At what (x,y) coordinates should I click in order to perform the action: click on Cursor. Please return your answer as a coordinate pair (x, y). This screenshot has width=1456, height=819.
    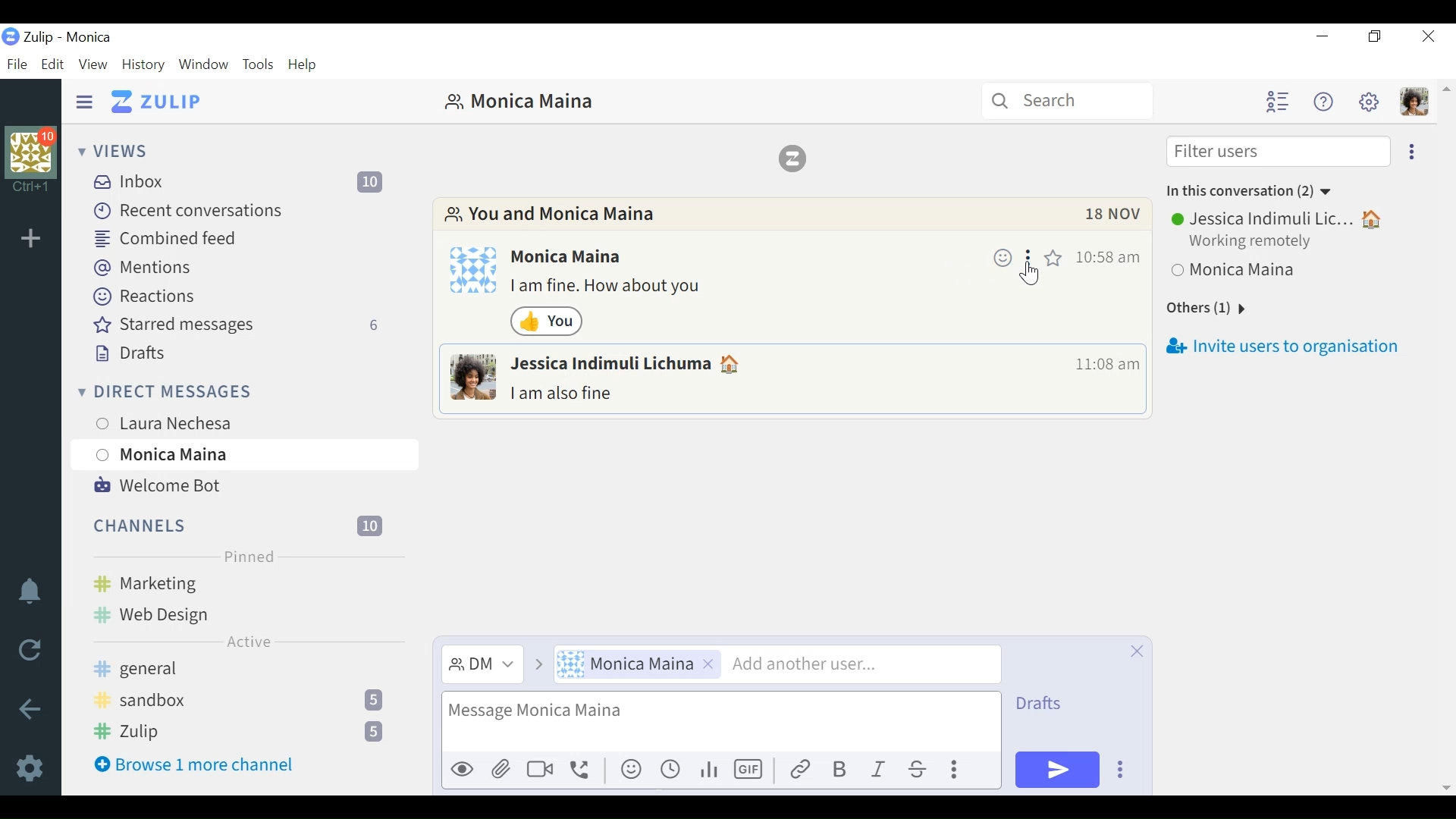
    Looking at the image, I should click on (1034, 275).